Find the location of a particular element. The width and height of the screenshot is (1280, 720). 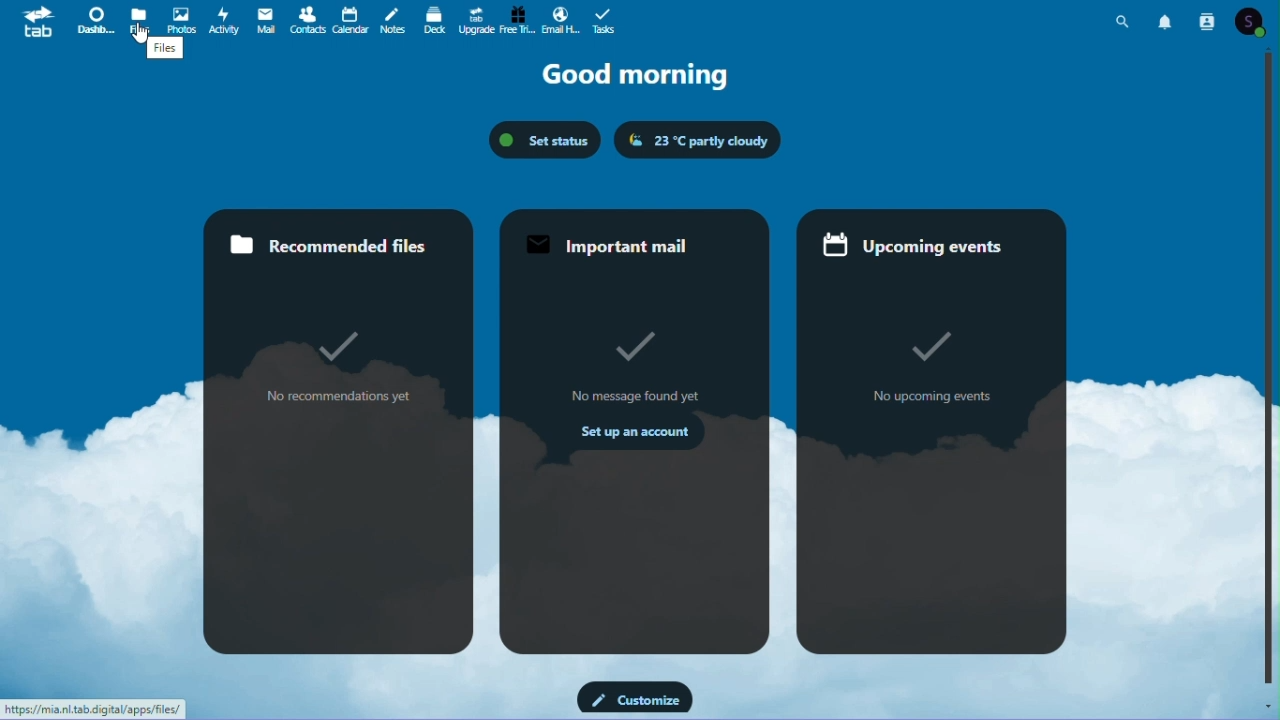

notes is located at coordinates (391, 22).